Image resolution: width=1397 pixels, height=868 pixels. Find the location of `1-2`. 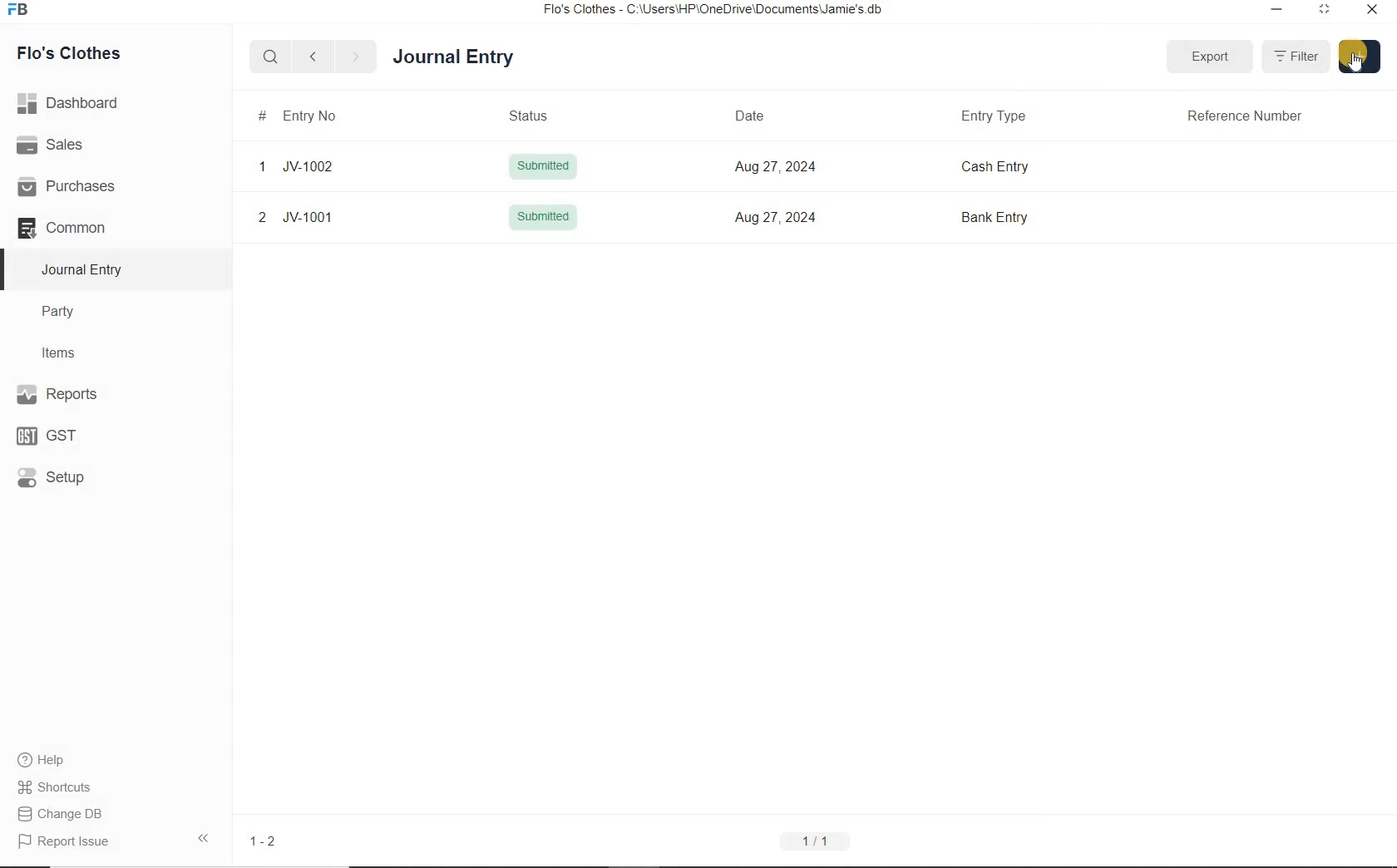

1-2 is located at coordinates (265, 841).